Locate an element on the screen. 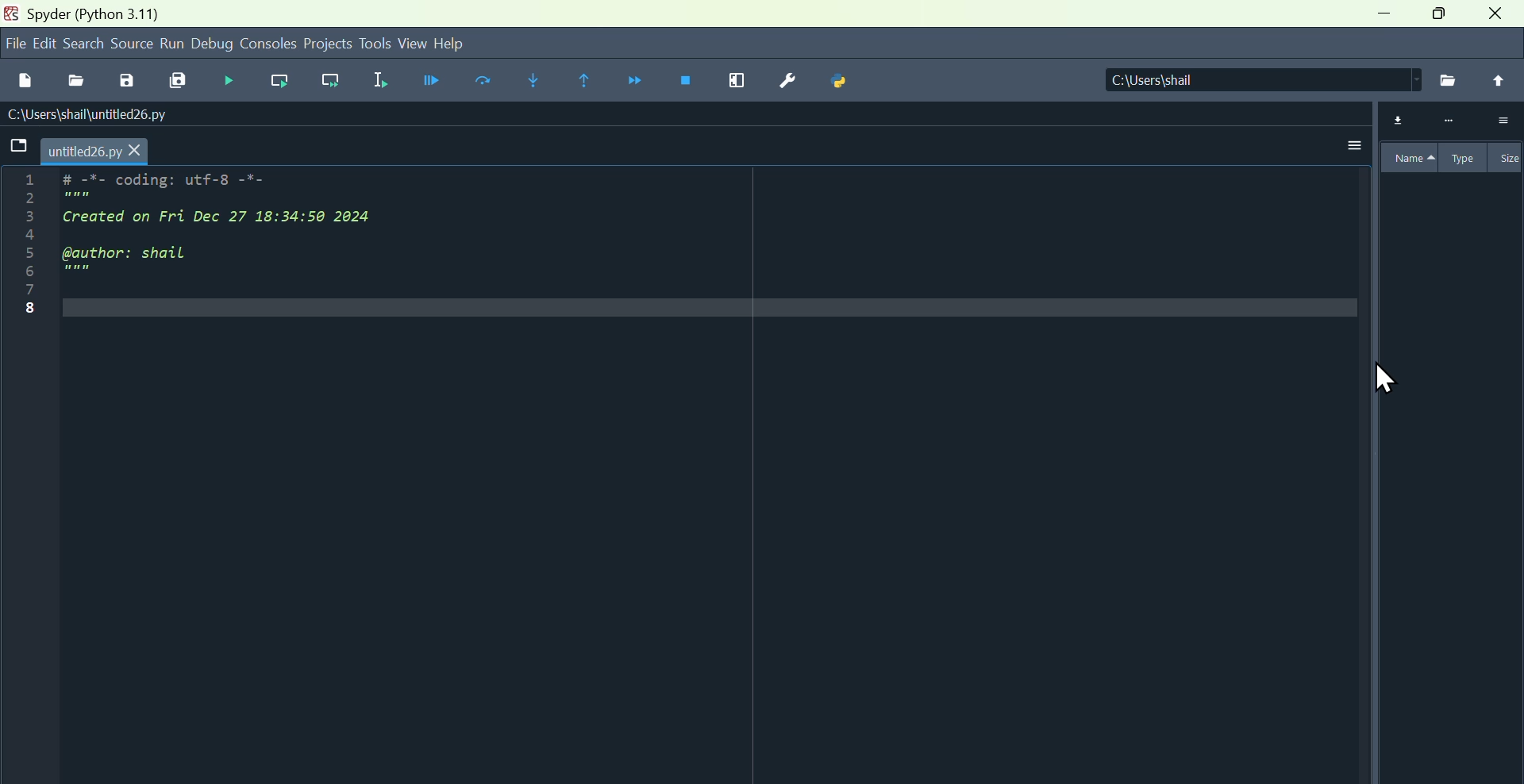 This screenshot has height=784, width=1524. Consoles is located at coordinates (270, 42).